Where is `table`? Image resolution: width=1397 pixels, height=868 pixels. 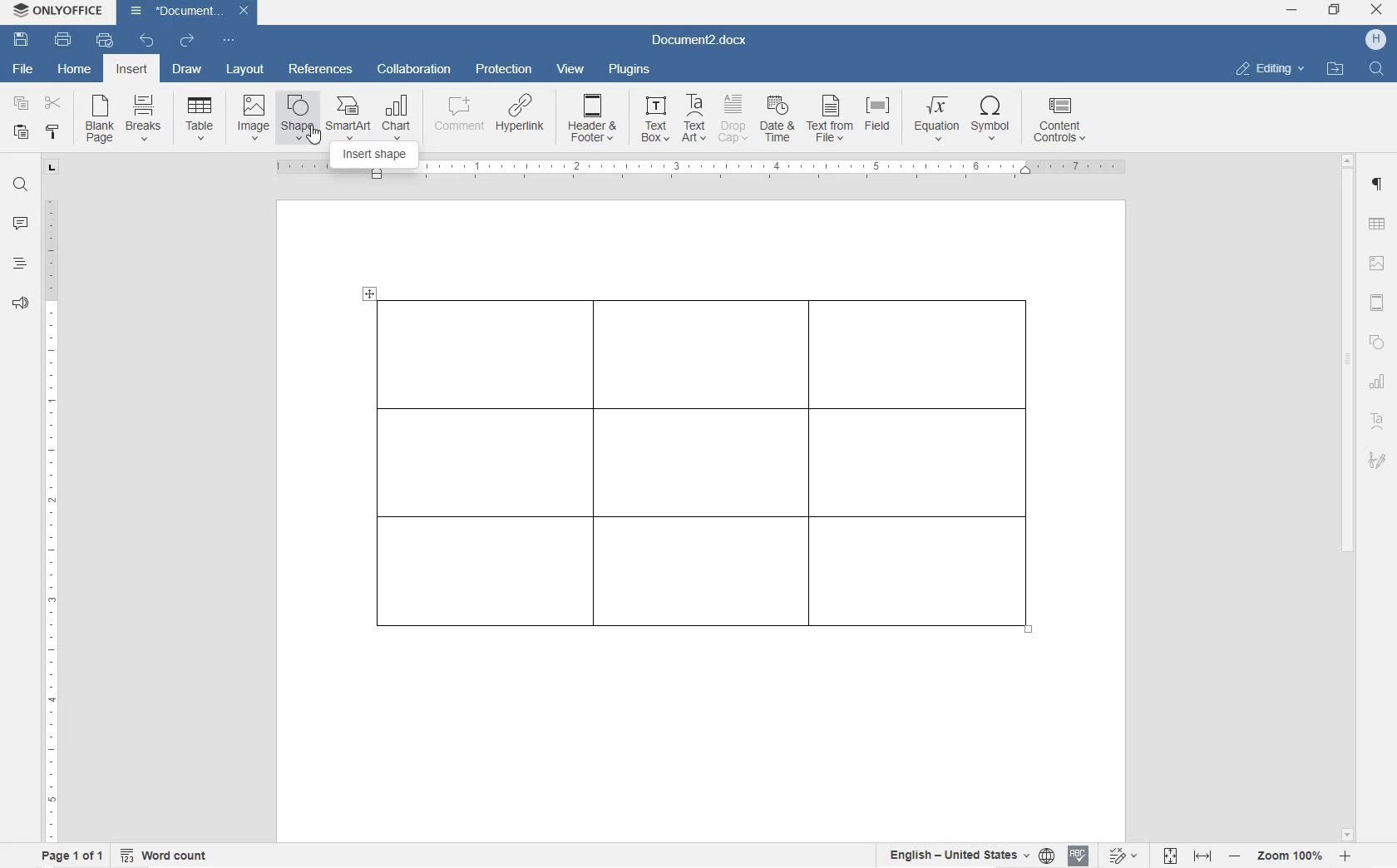 table is located at coordinates (712, 479).